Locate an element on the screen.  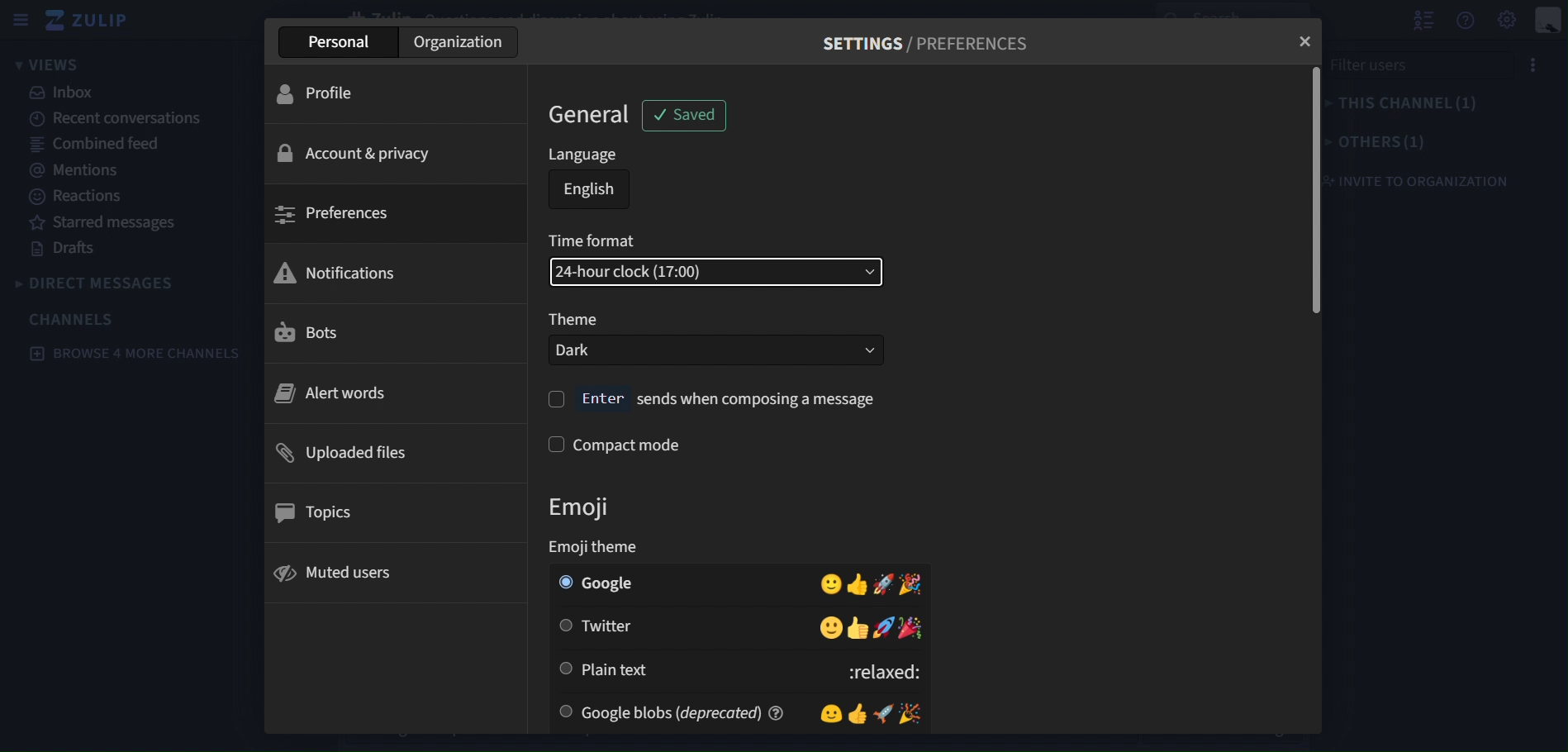
mentions is located at coordinates (74, 169).